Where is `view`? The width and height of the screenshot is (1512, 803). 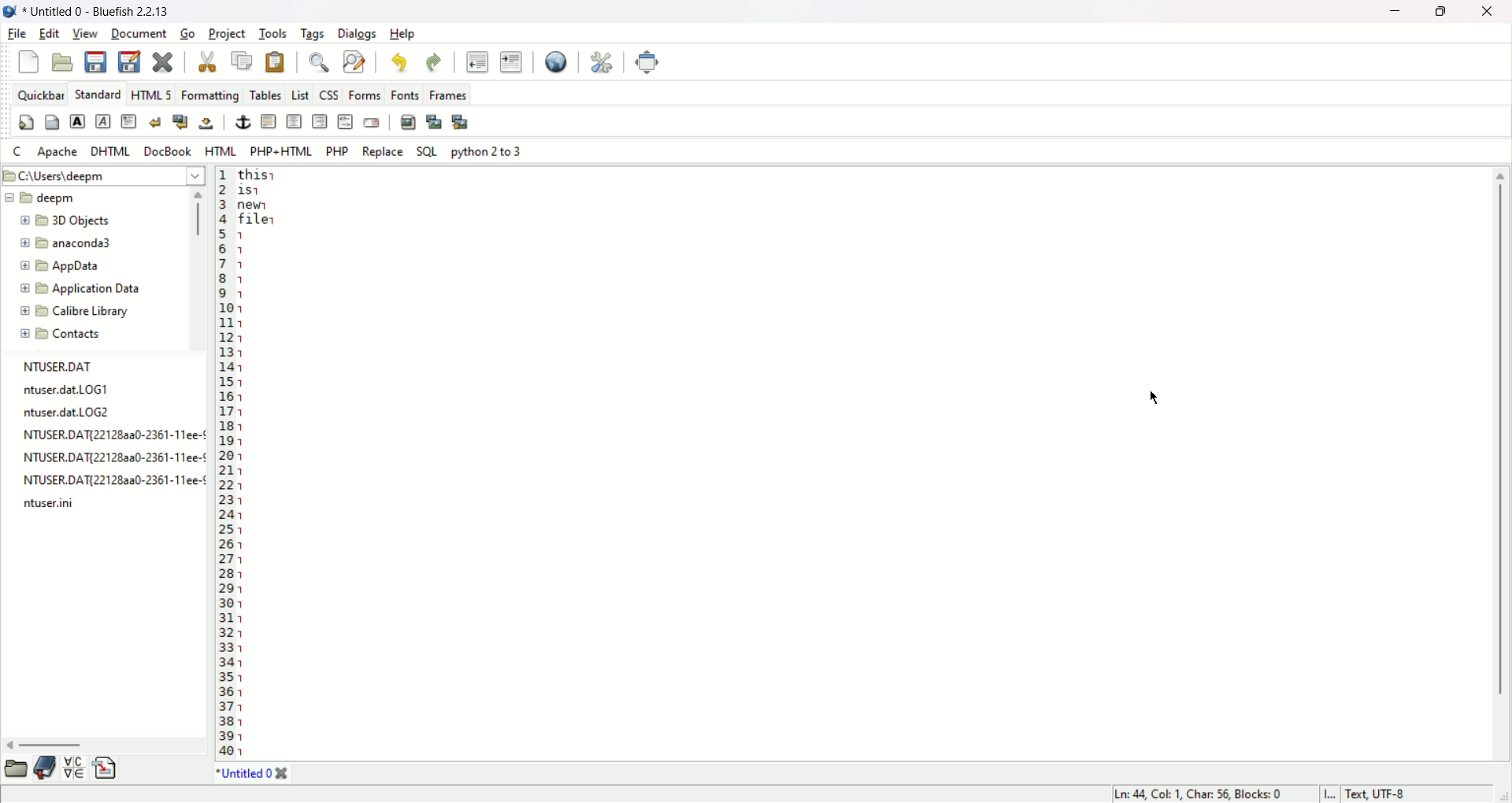
view is located at coordinates (86, 33).